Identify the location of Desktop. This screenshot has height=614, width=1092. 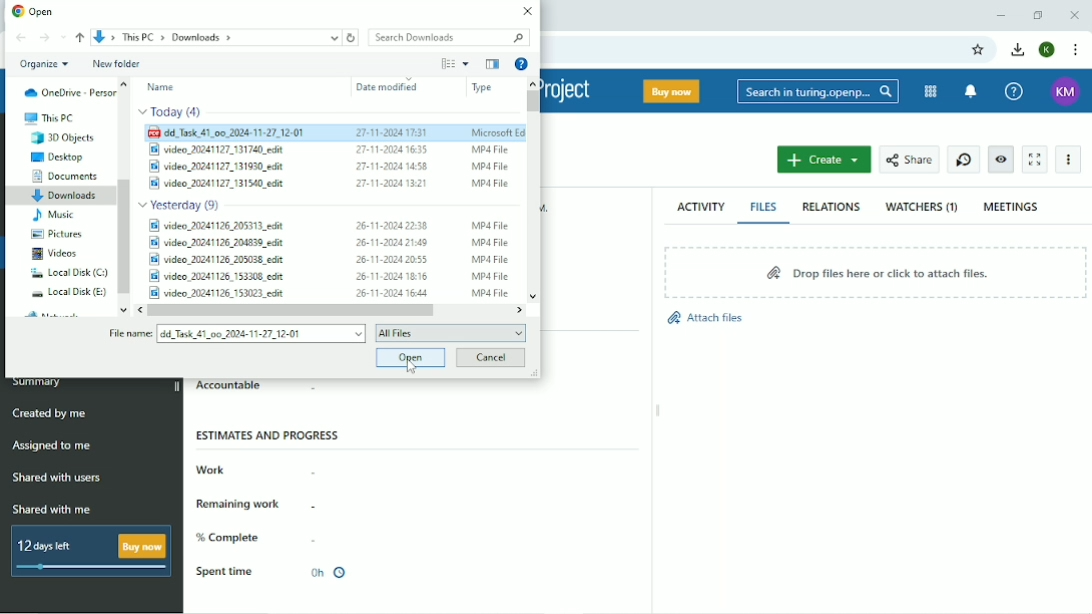
(60, 157).